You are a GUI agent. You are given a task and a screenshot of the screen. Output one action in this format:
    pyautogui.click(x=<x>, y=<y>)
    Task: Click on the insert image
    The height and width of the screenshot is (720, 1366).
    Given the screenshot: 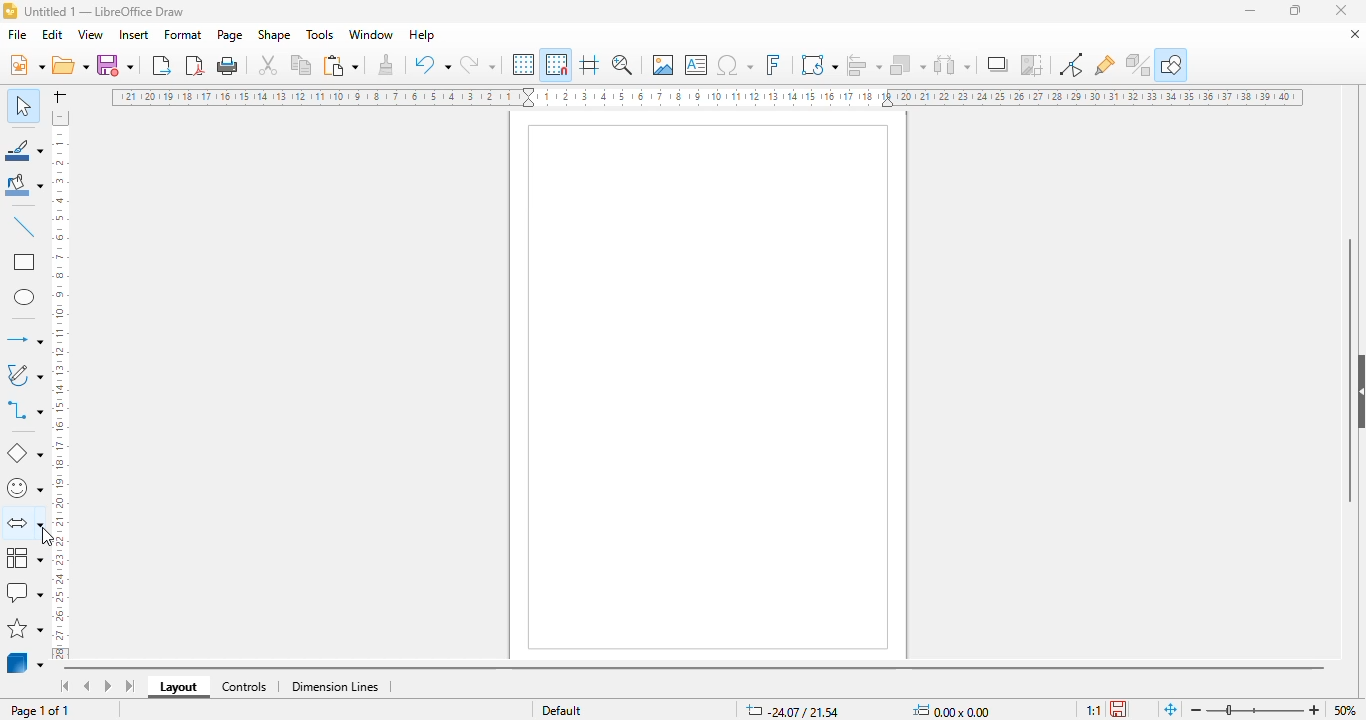 What is the action you would take?
    pyautogui.click(x=663, y=64)
    